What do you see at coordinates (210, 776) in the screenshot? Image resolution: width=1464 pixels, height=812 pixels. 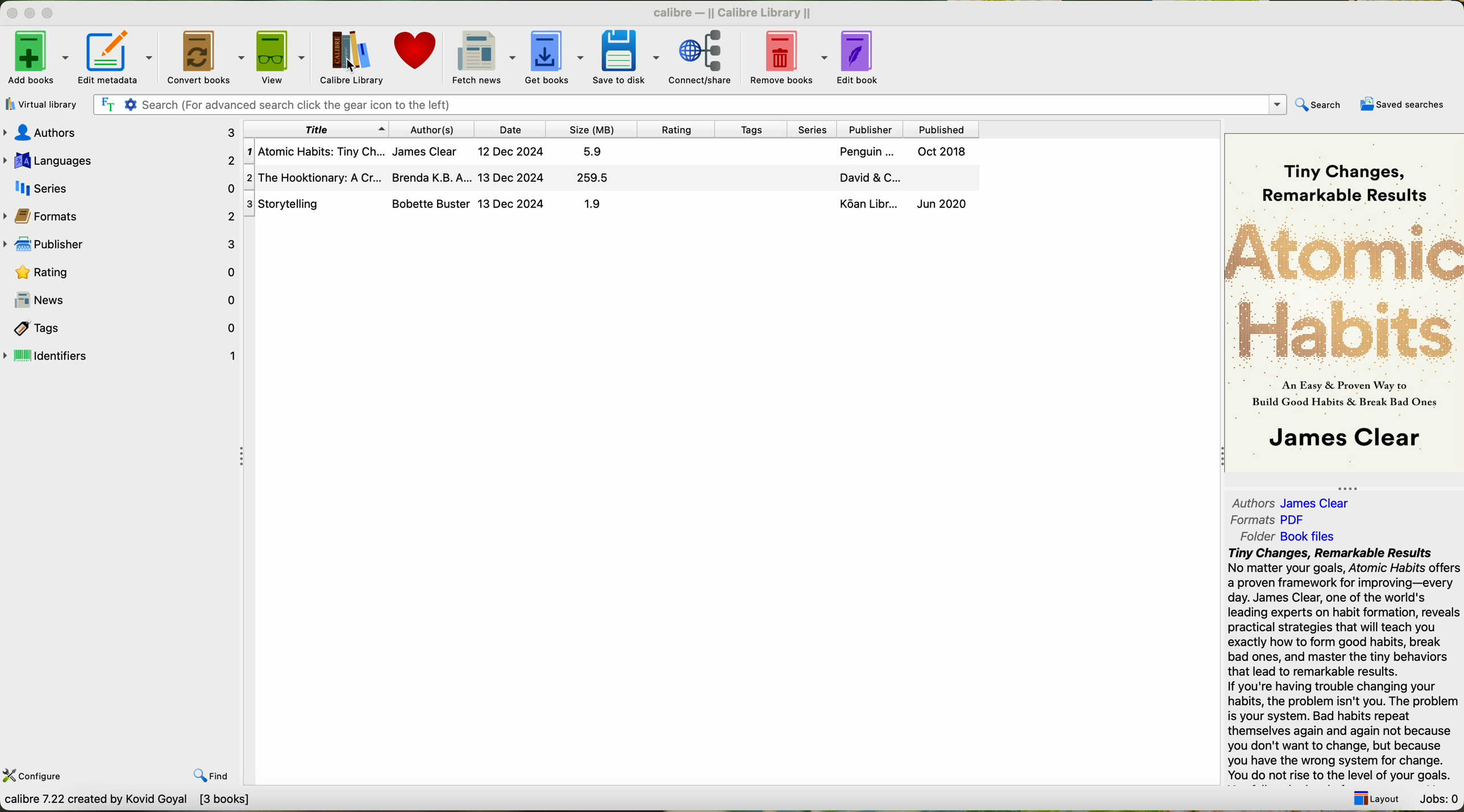 I see `find` at bounding box center [210, 776].